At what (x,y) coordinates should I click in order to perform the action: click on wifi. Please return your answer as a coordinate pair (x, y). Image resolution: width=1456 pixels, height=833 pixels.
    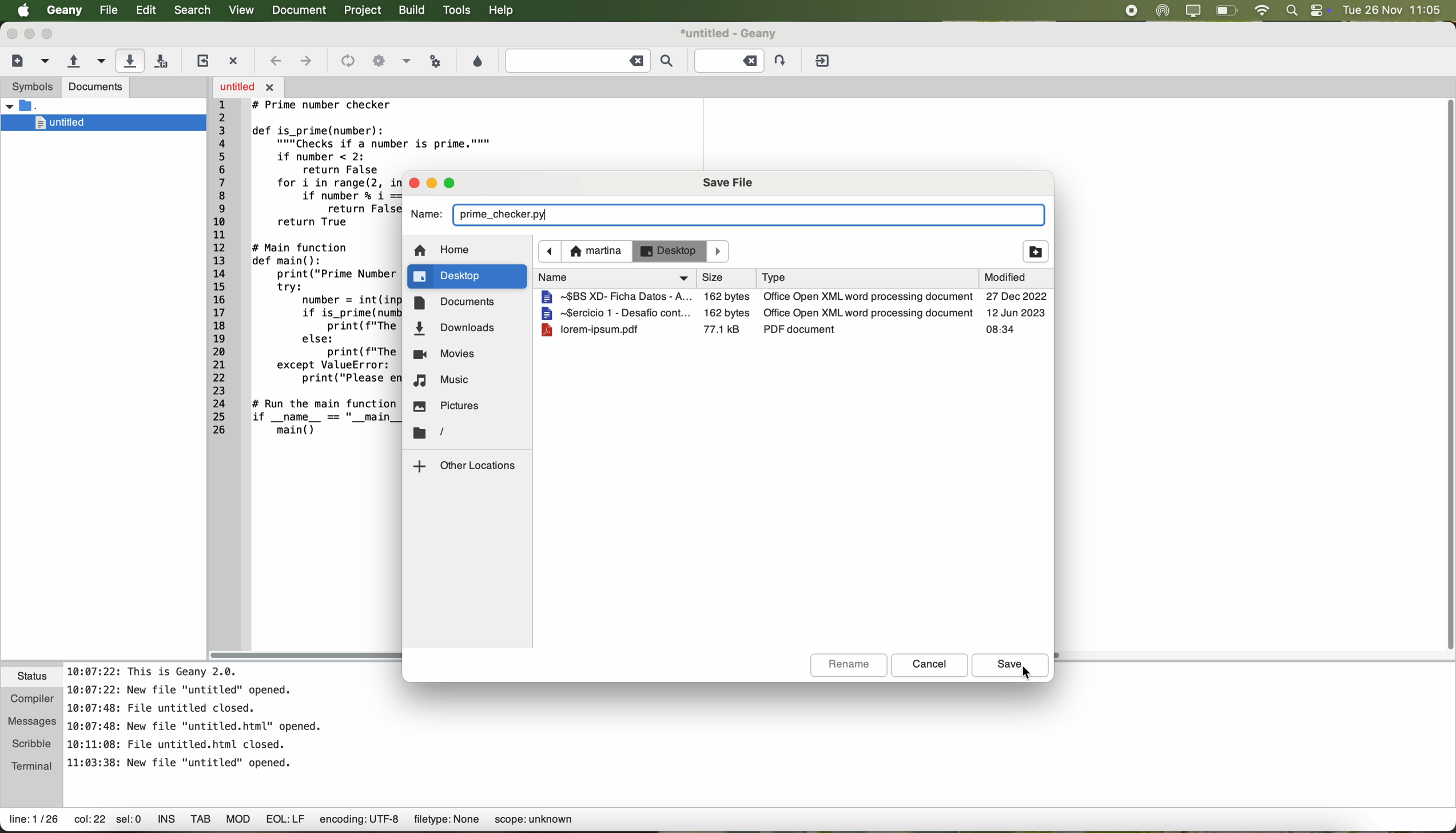
    Looking at the image, I should click on (1263, 10).